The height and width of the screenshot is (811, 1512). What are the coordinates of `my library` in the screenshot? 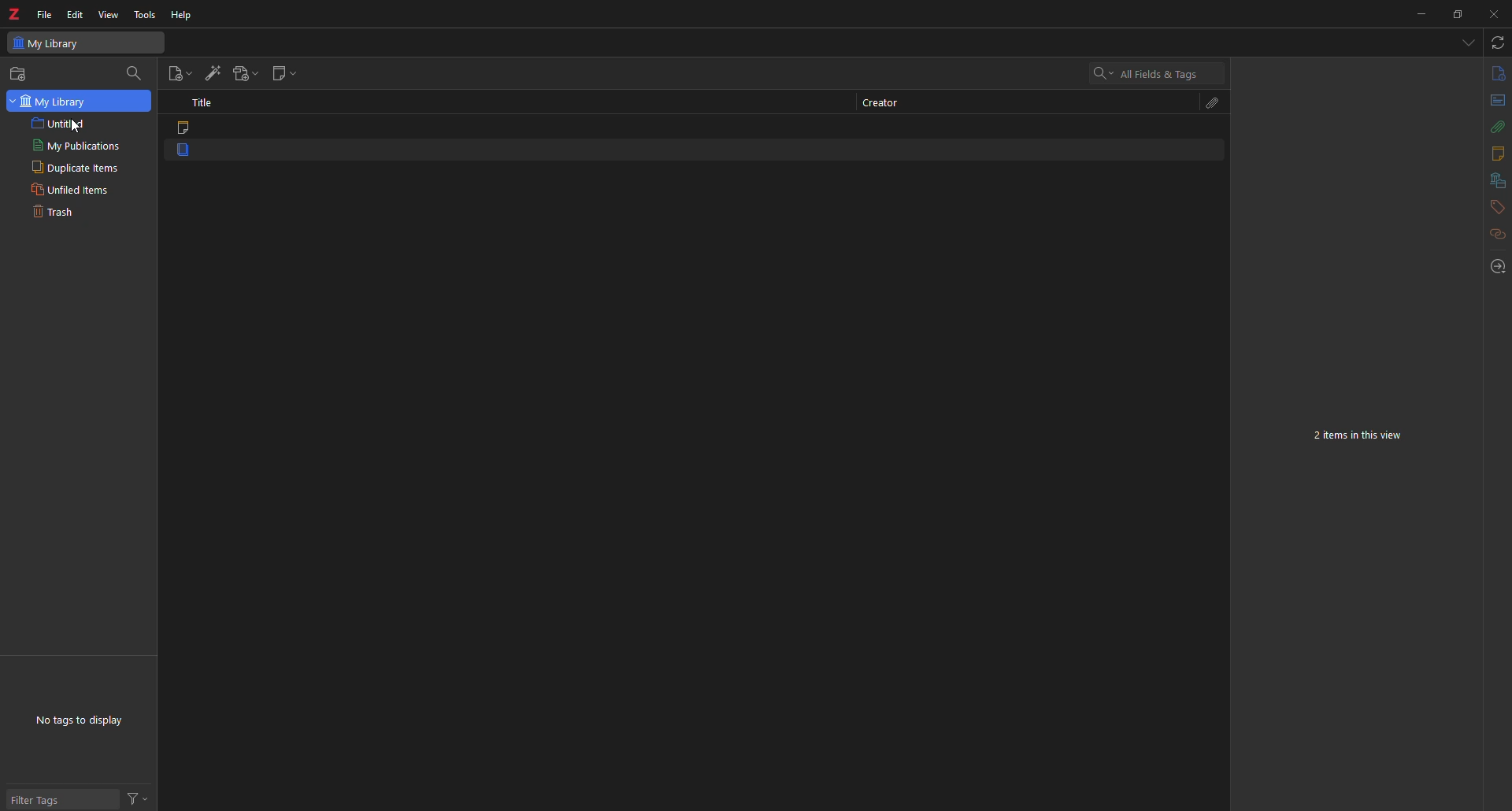 It's located at (81, 101).